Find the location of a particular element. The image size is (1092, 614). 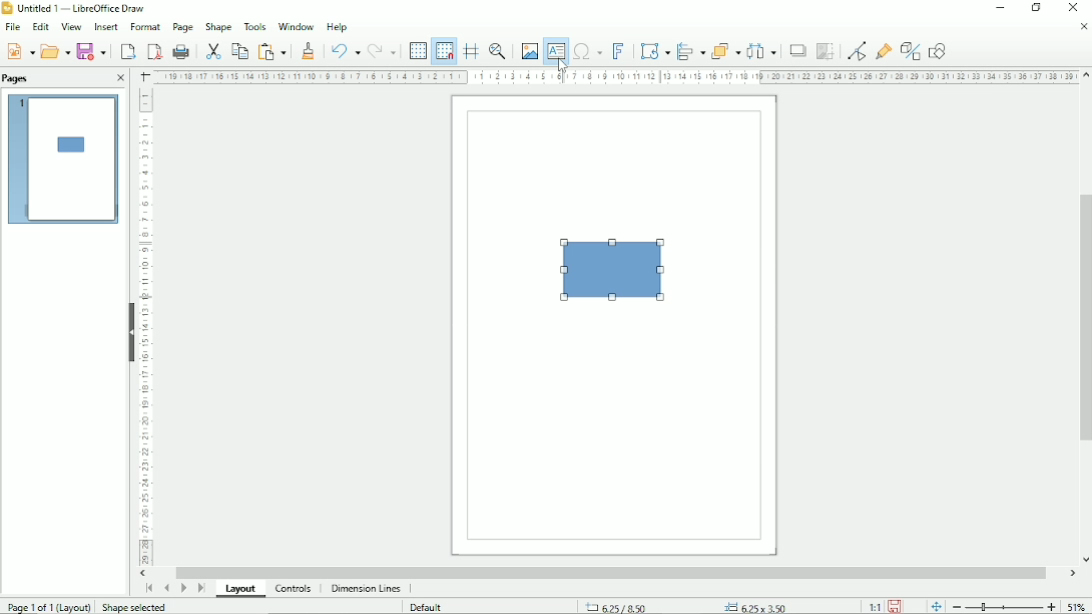

Shape is located at coordinates (217, 26).